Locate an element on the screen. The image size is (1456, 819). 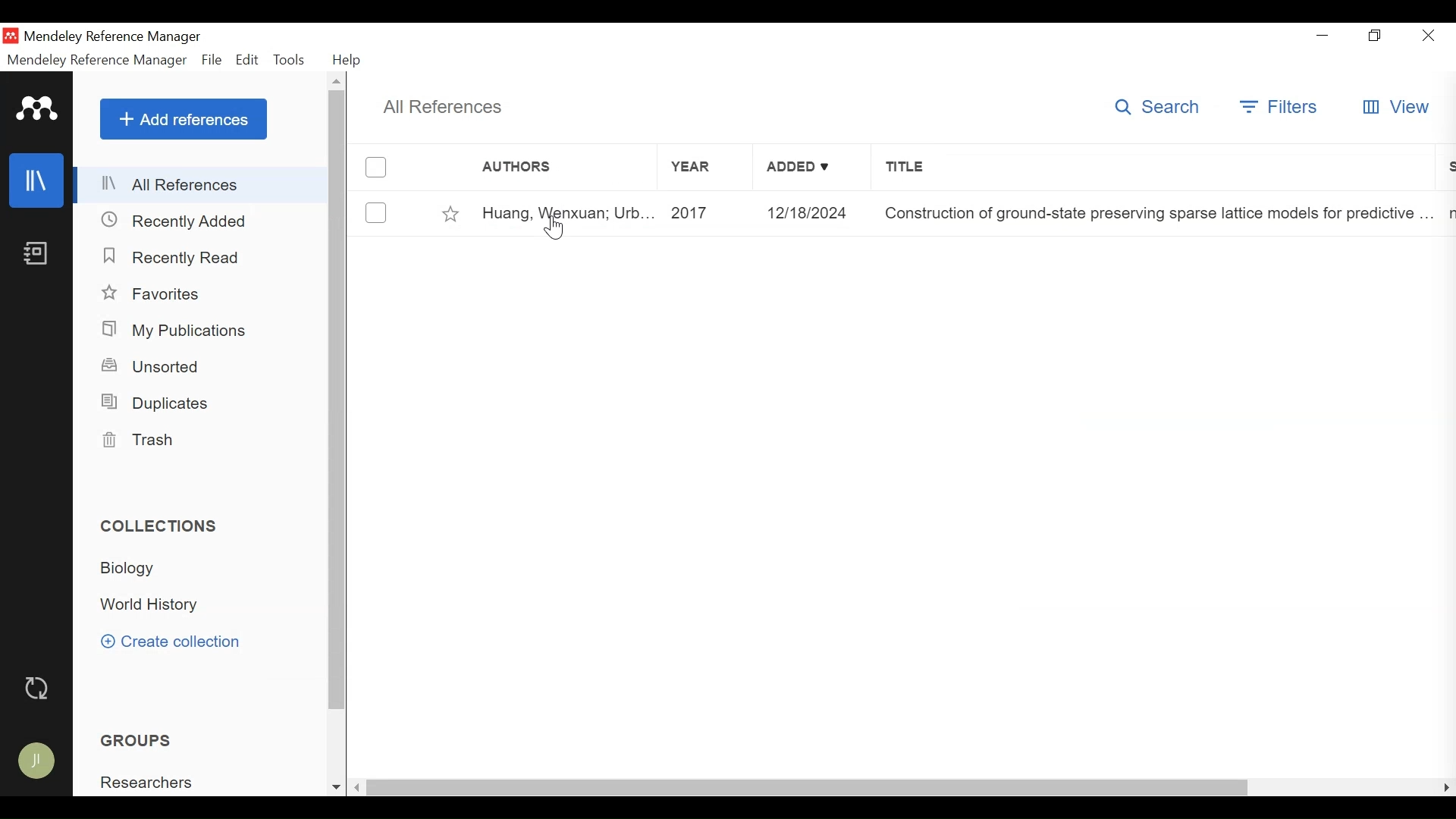
Mendeley Reference Manager is located at coordinates (97, 60).